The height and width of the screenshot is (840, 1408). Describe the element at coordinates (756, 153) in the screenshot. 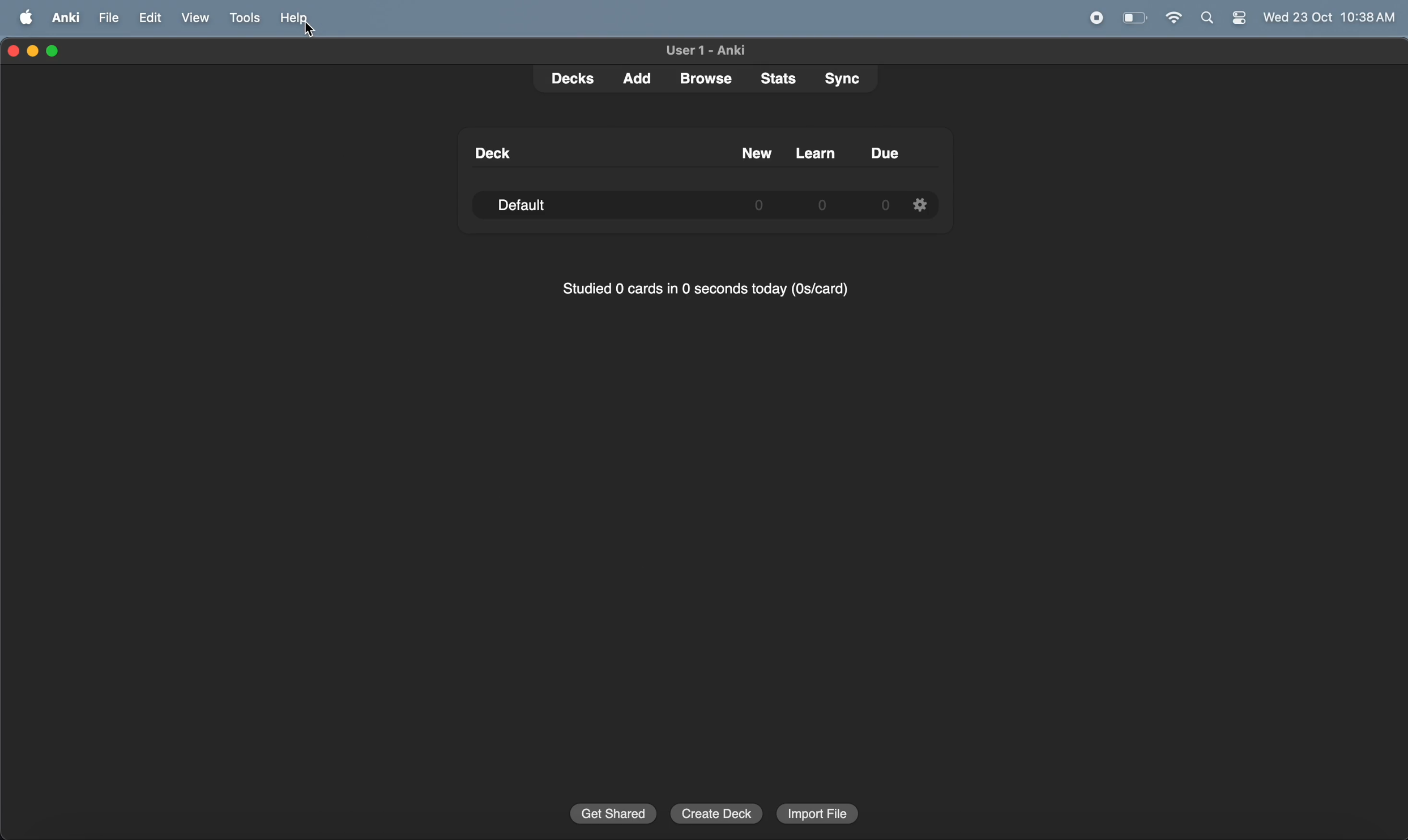

I see `new` at that location.